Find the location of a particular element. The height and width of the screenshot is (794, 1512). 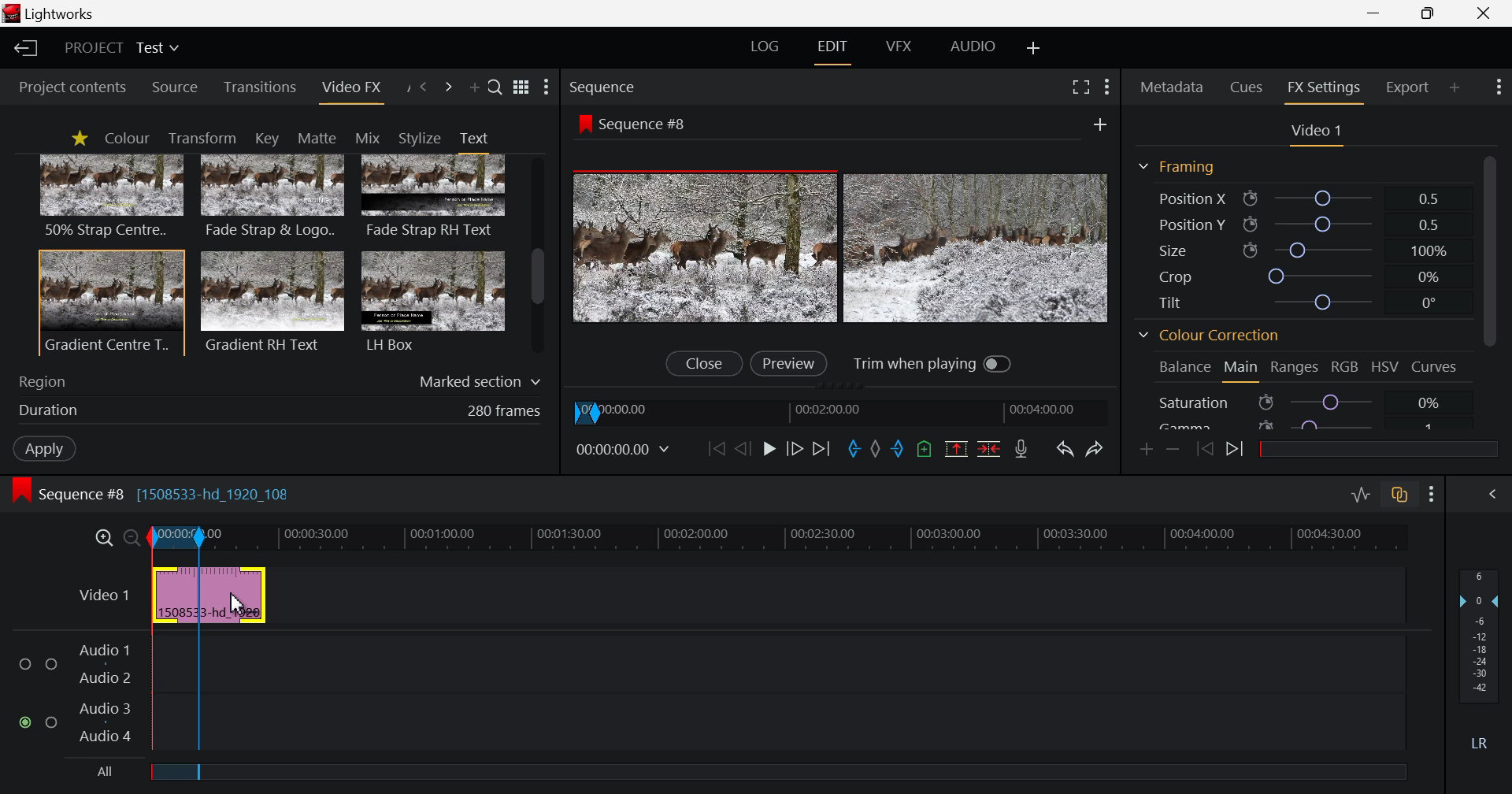

Show Settings is located at coordinates (547, 88).